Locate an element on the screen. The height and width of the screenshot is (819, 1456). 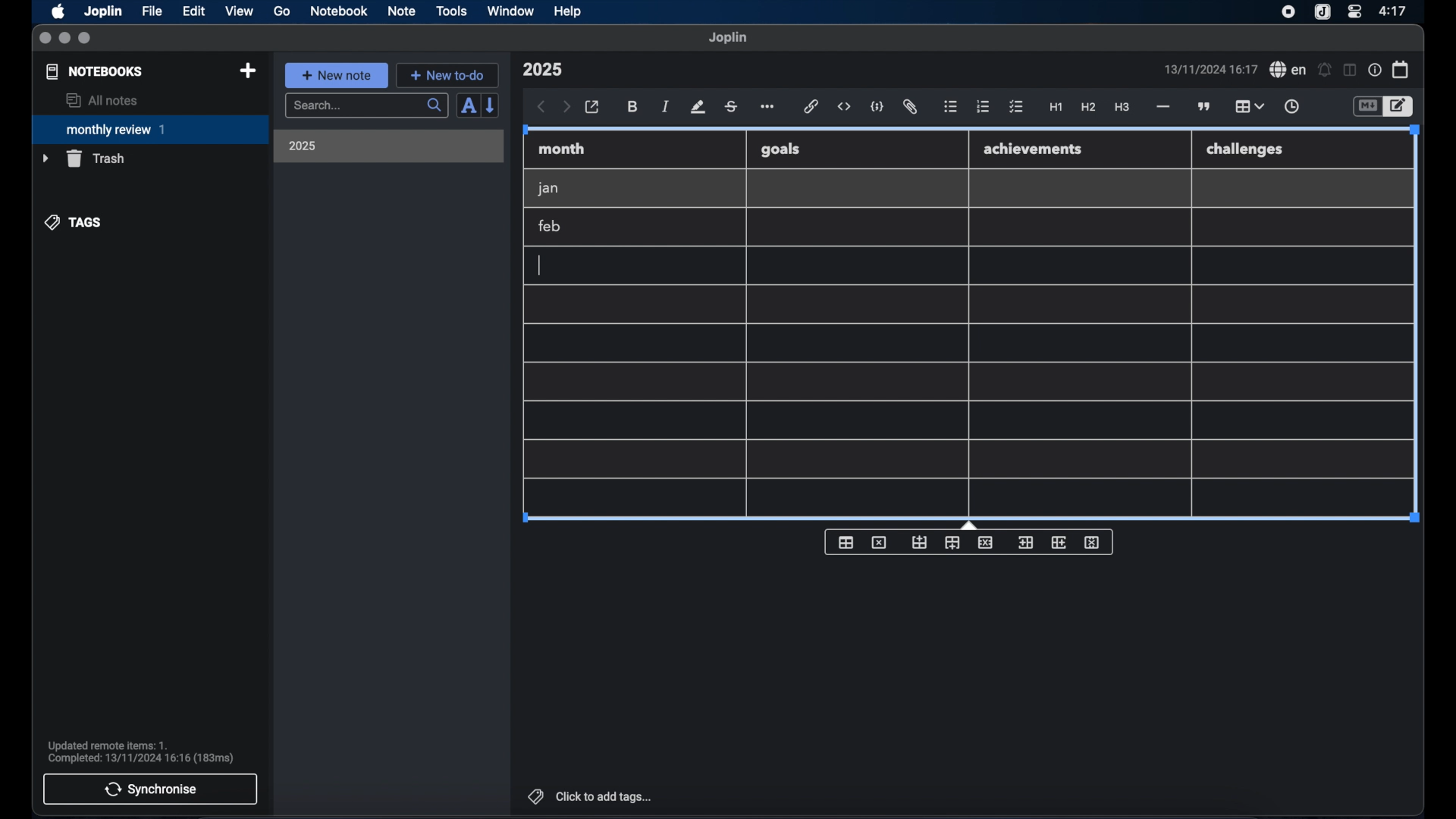
apple icon is located at coordinates (57, 11).